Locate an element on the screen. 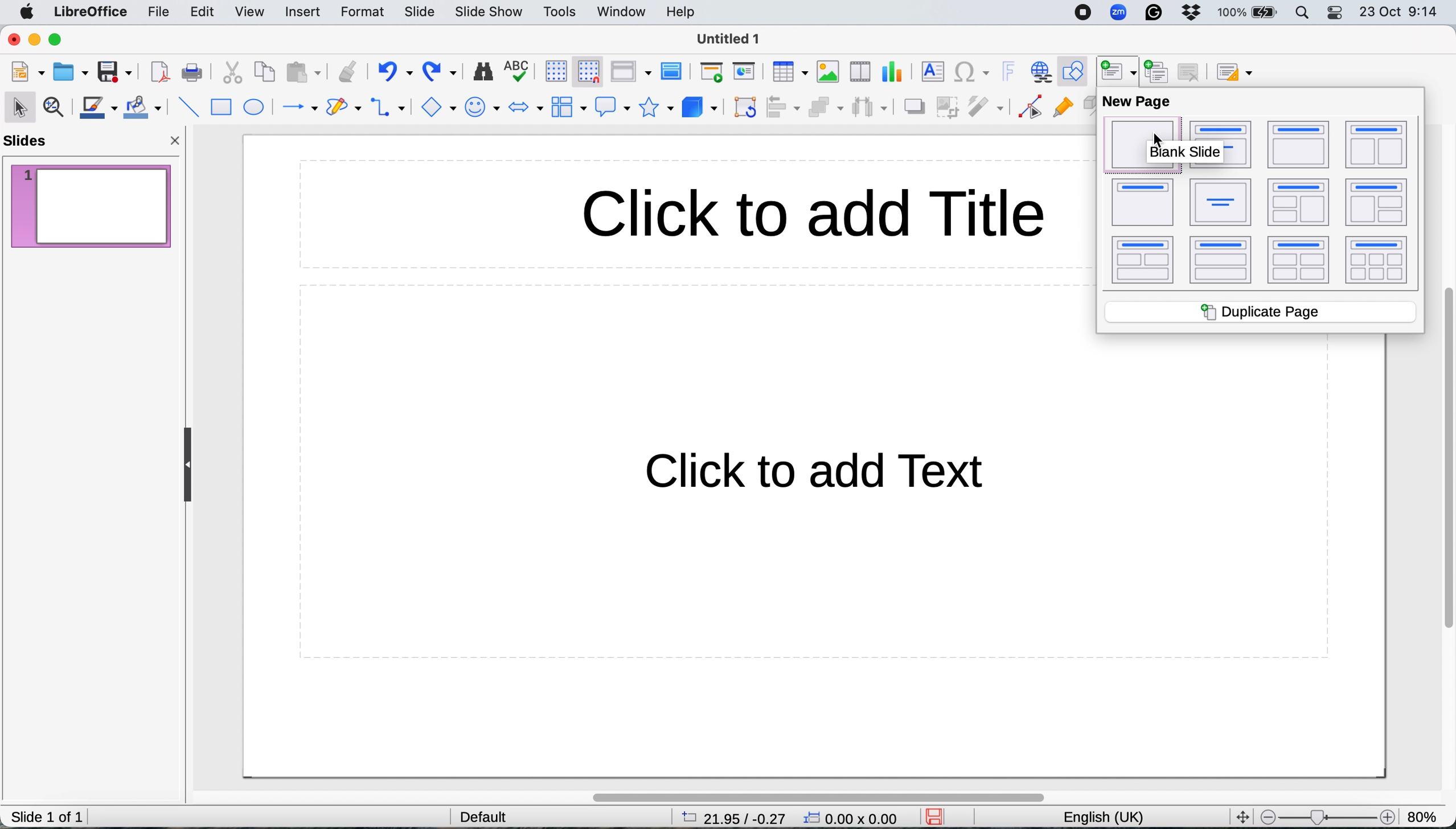 The image size is (1456, 829). insert special characters is located at coordinates (974, 72).